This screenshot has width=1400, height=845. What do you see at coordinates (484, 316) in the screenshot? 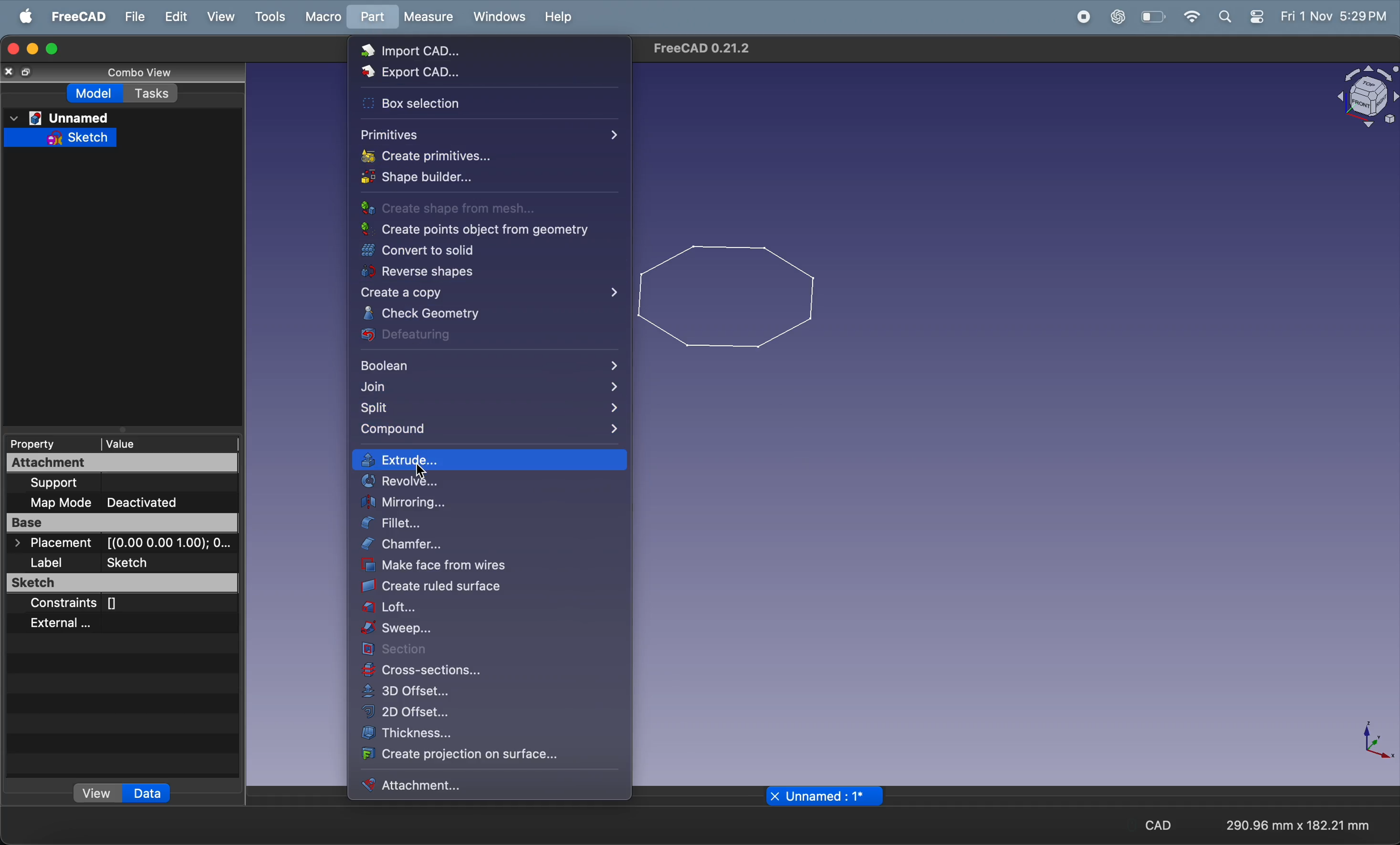
I see `check geometry` at bounding box center [484, 316].